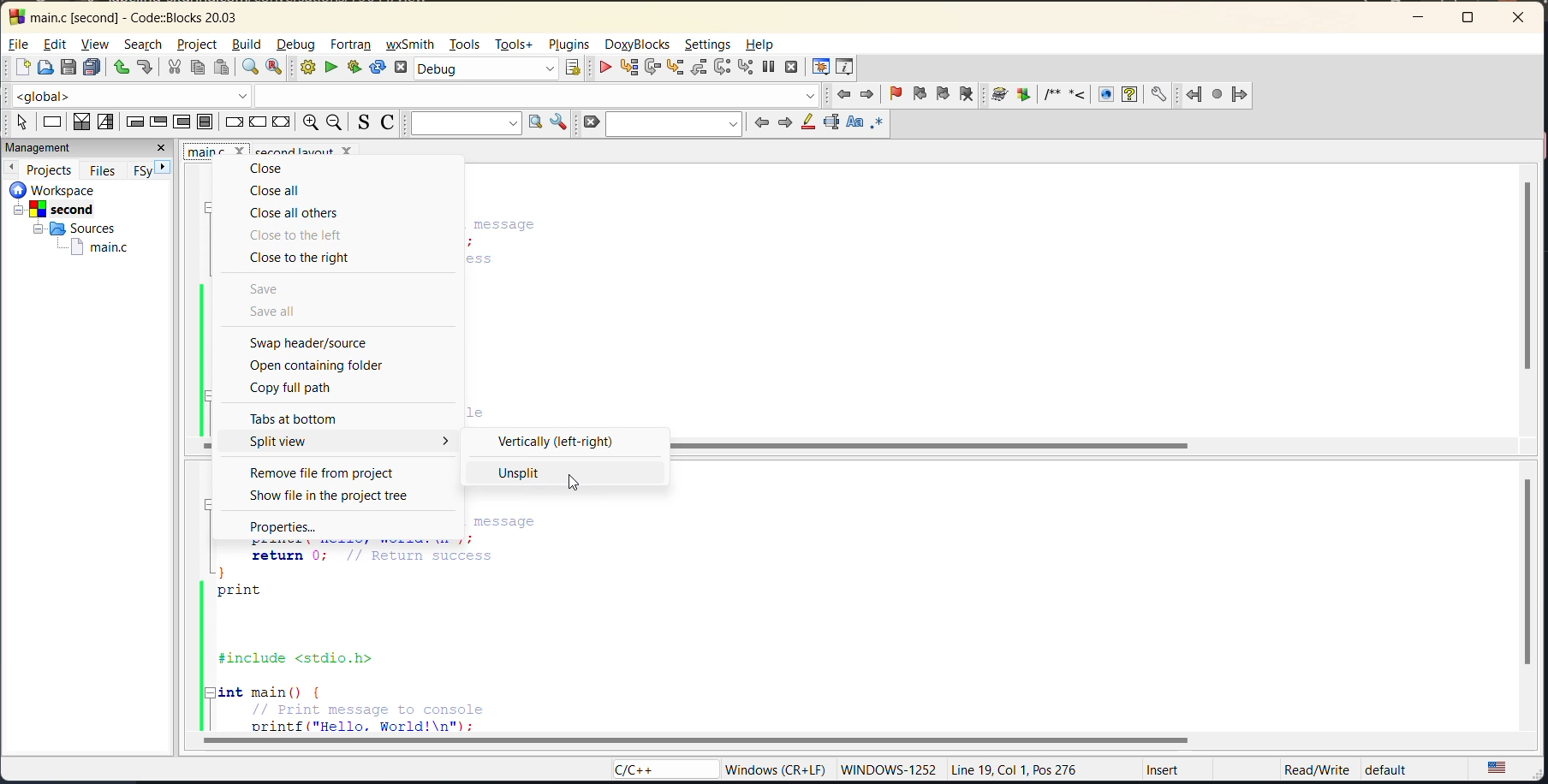  What do you see at coordinates (354, 68) in the screenshot?
I see `build and run` at bounding box center [354, 68].